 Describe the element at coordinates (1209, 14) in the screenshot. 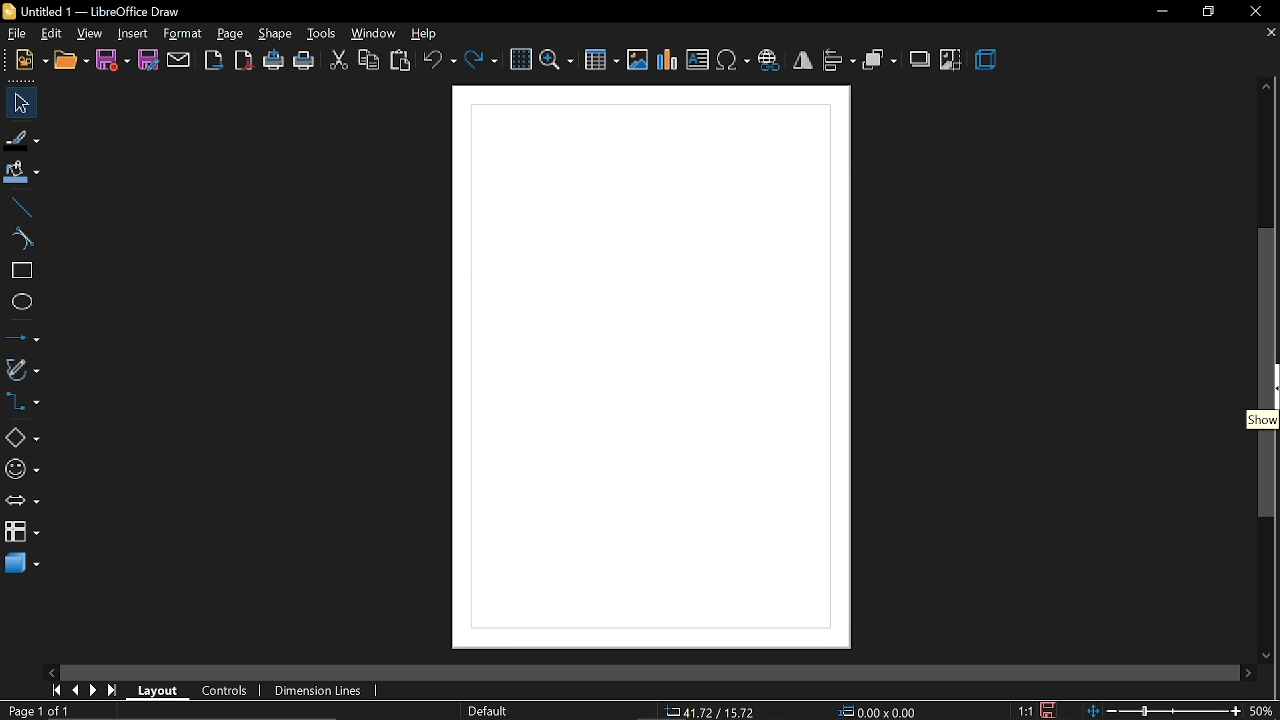

I see `restore down` at that location.